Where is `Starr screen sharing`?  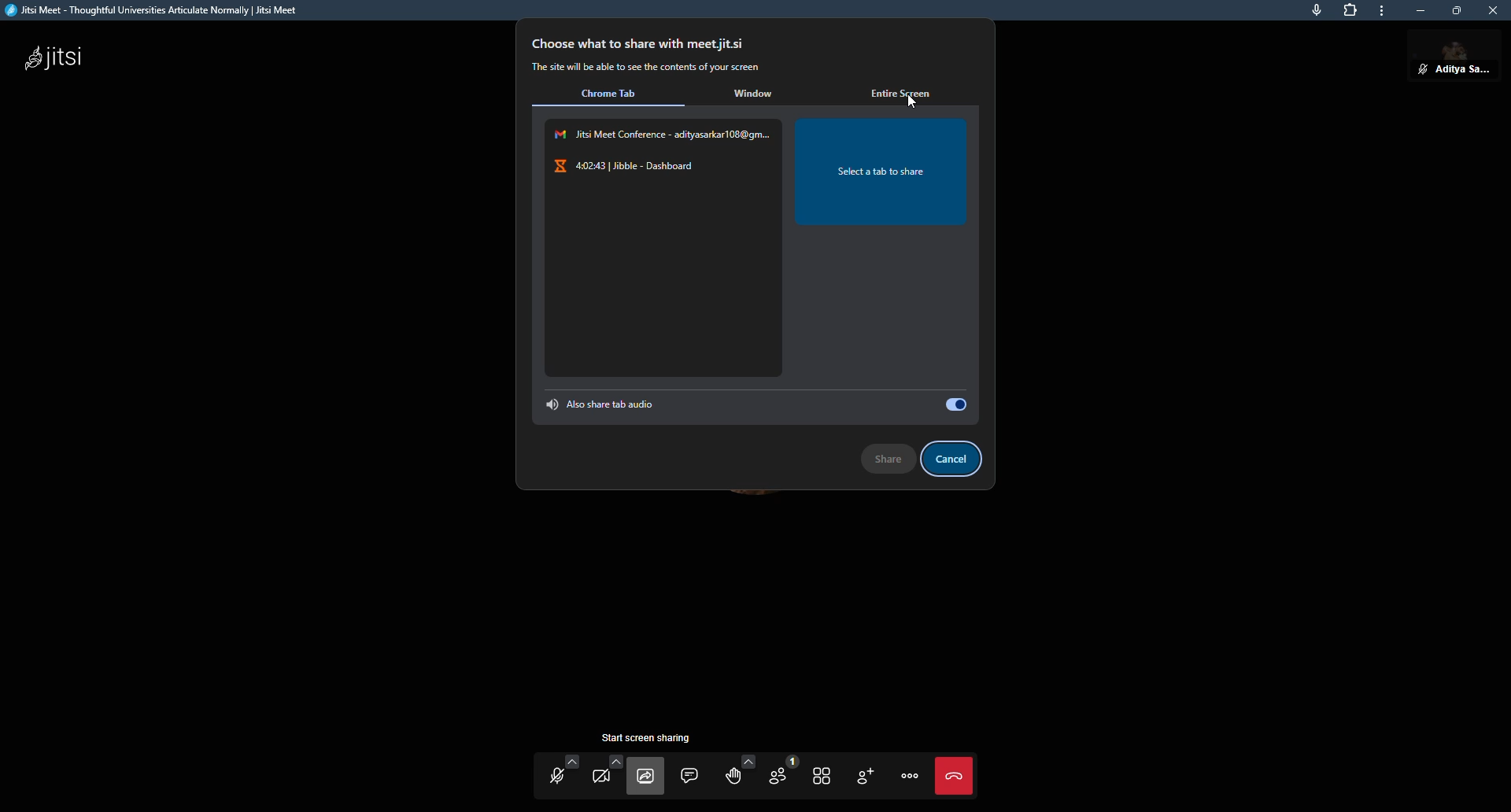
Starr screen sharing is located at coordinates (654, 737).